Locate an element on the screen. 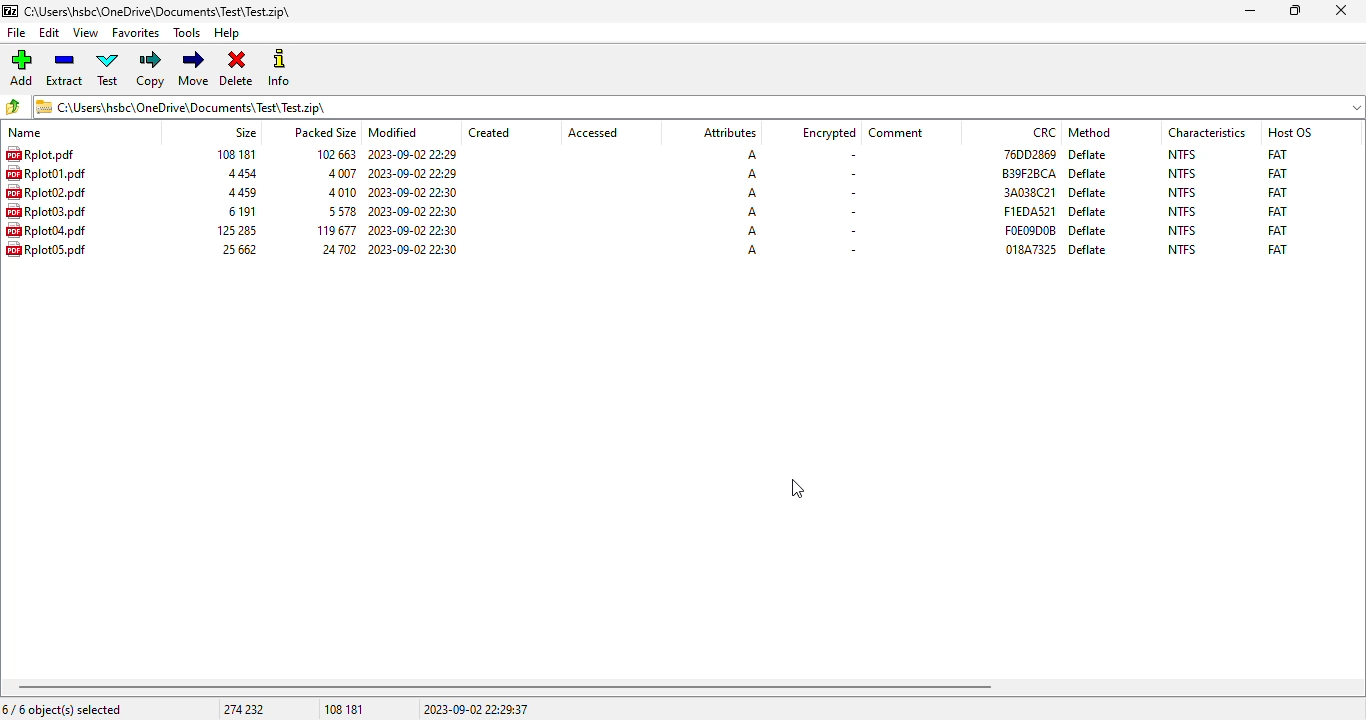 This screenshot has width=1366, height=720. size is located at coordinates (234, 230).